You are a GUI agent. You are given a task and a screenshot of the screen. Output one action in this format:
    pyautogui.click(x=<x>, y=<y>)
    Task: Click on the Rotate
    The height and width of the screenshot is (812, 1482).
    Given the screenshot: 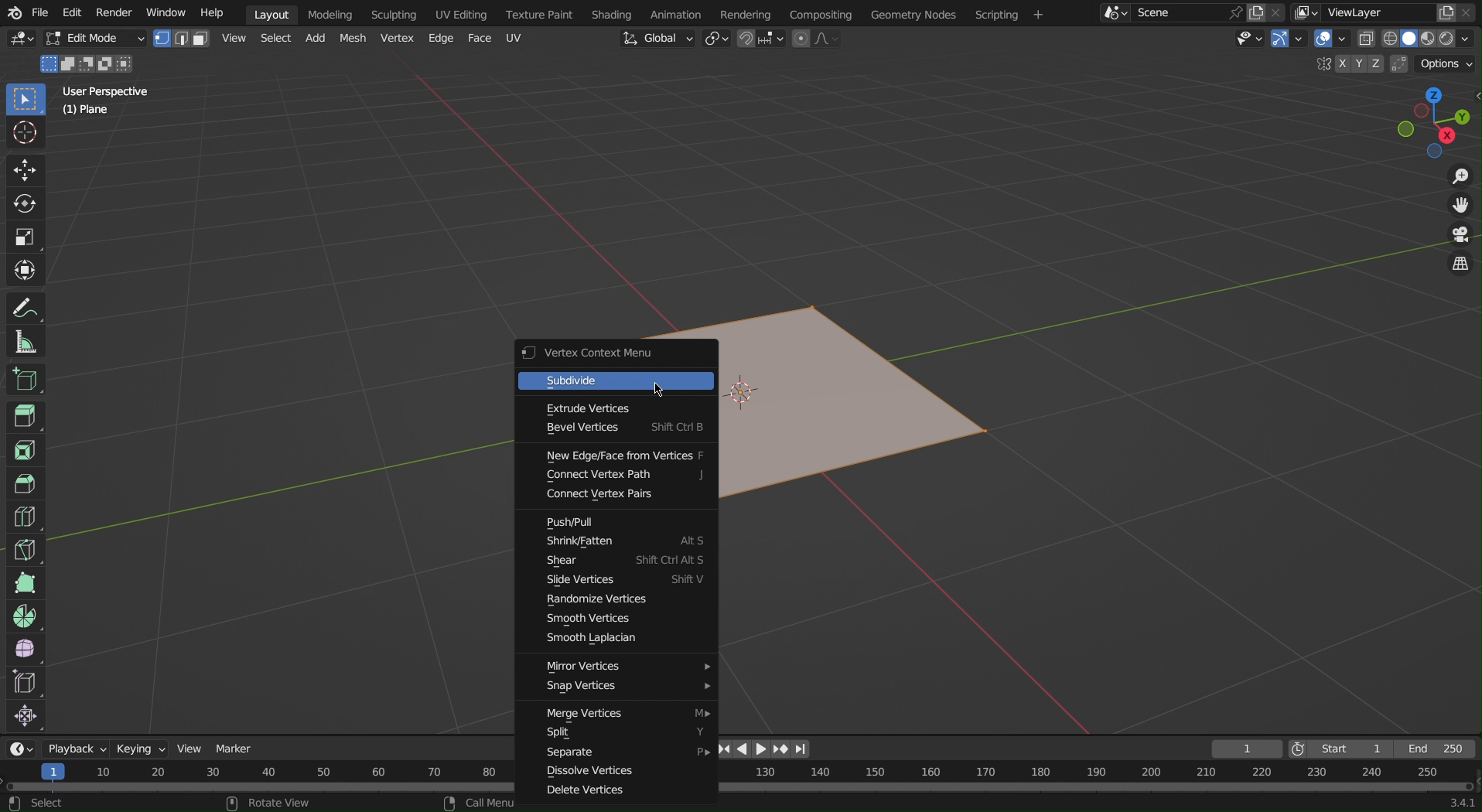 What is the action you would take?
    pyautogui.click(x=27, y=203)
    